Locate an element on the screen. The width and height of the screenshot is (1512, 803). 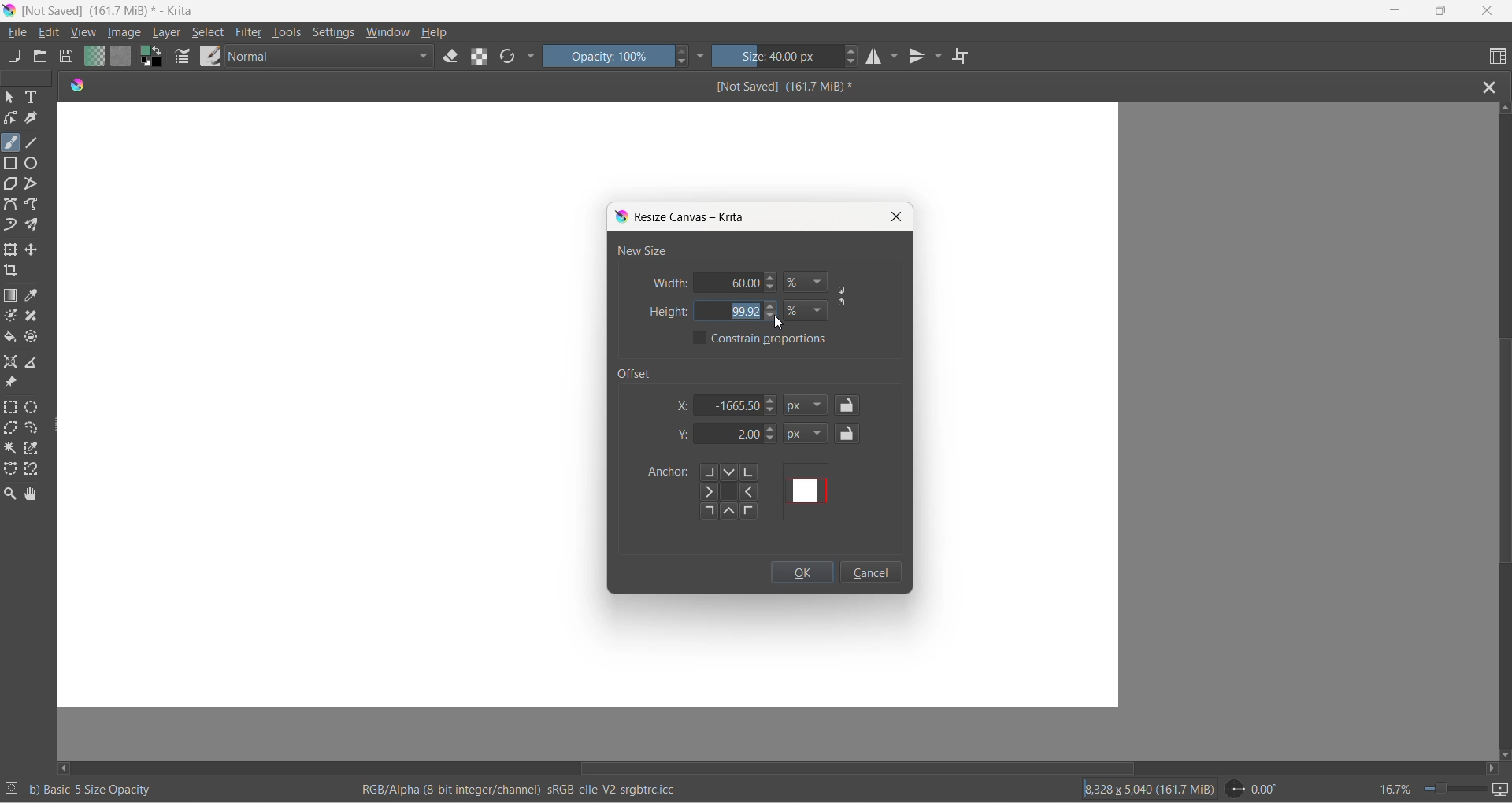
offset is located at coordinates (640, 372).